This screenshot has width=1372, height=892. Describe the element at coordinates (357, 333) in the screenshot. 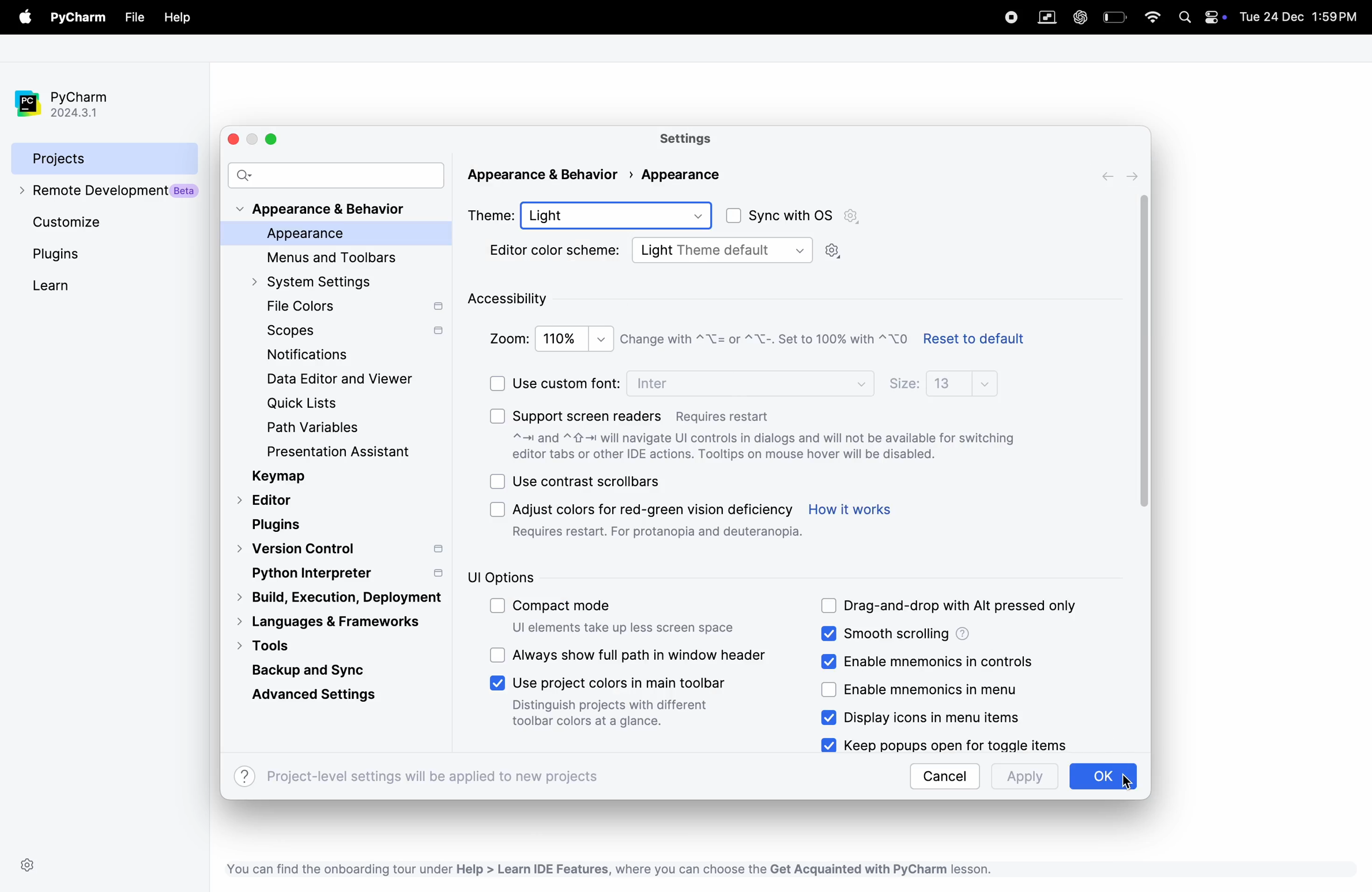

I see `scopes` at that location.